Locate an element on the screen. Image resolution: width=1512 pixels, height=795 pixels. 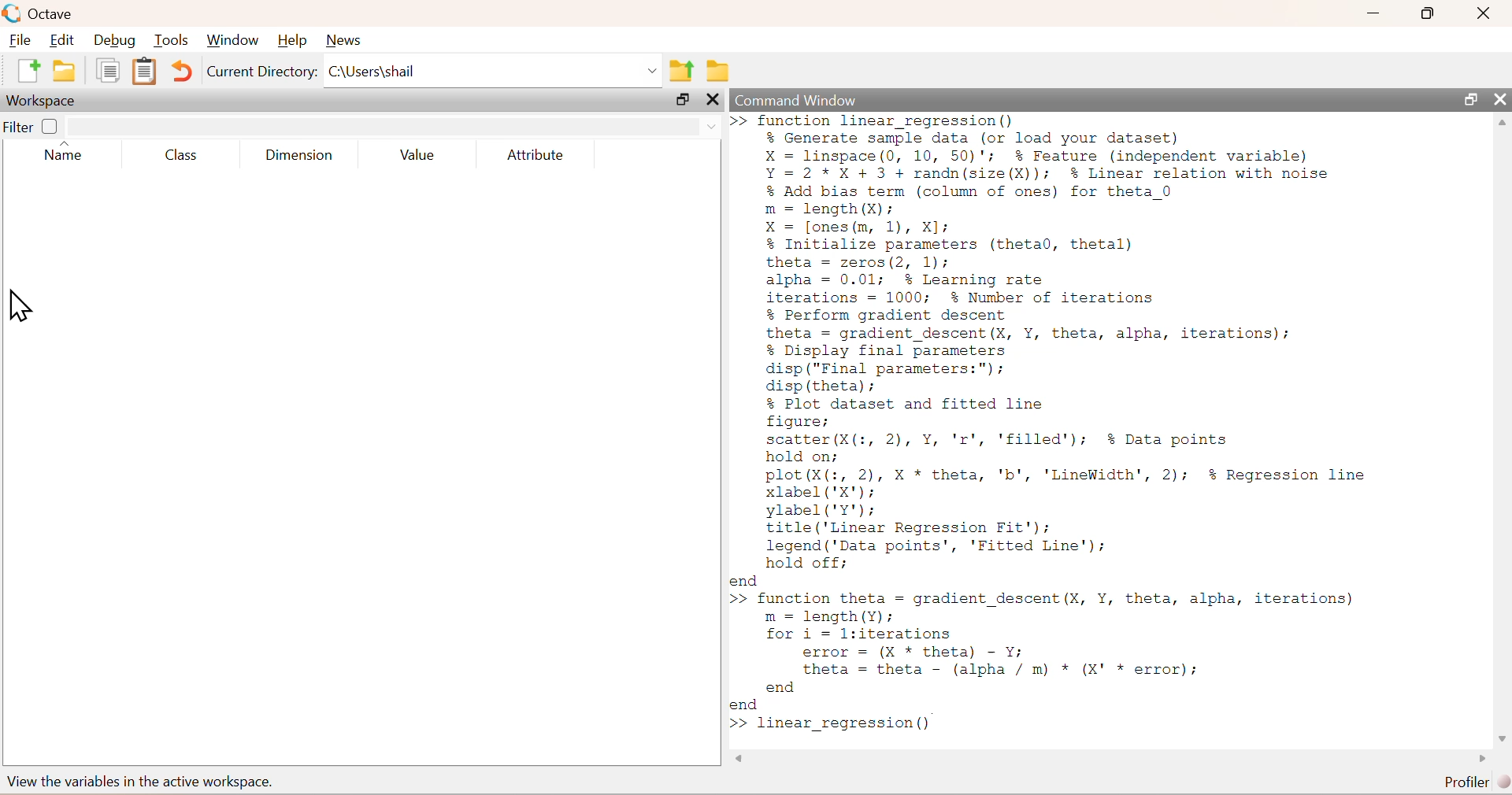
folder is located at coordinates (717, 72).